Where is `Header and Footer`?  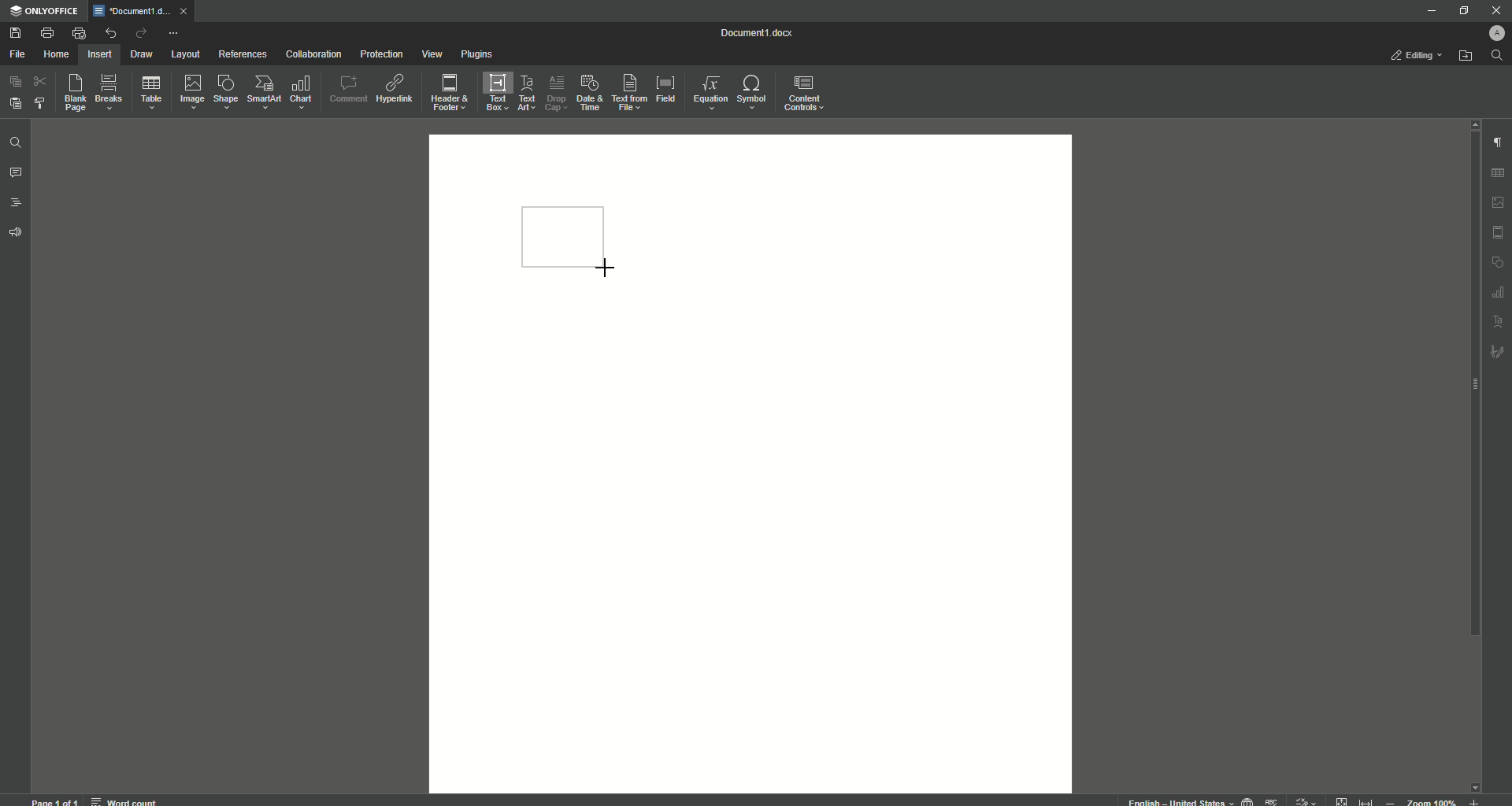 Header and Footer is located at coordinates (448, 94).